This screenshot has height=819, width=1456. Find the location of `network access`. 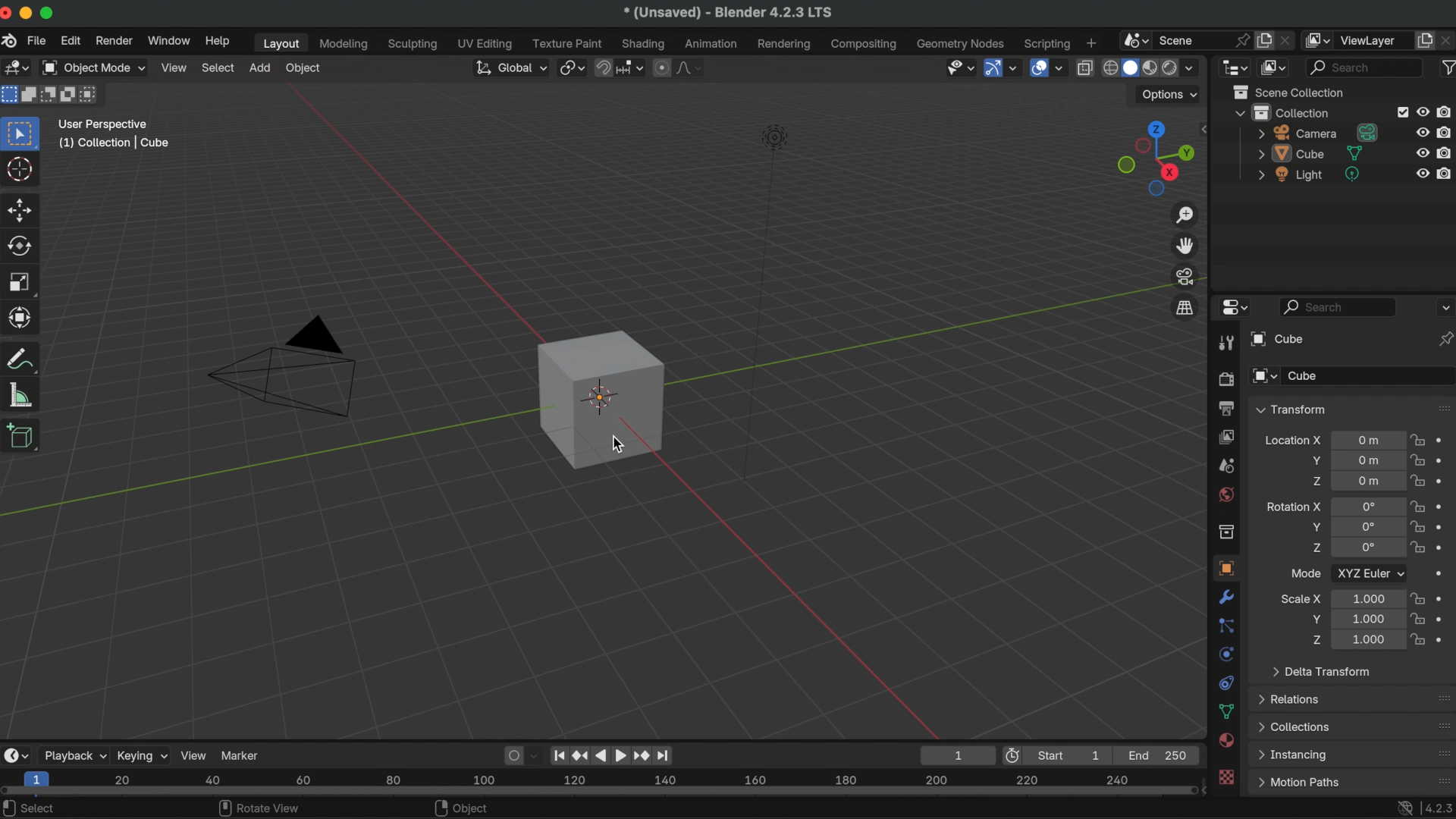

network access is located at coordinates (1403, 807).